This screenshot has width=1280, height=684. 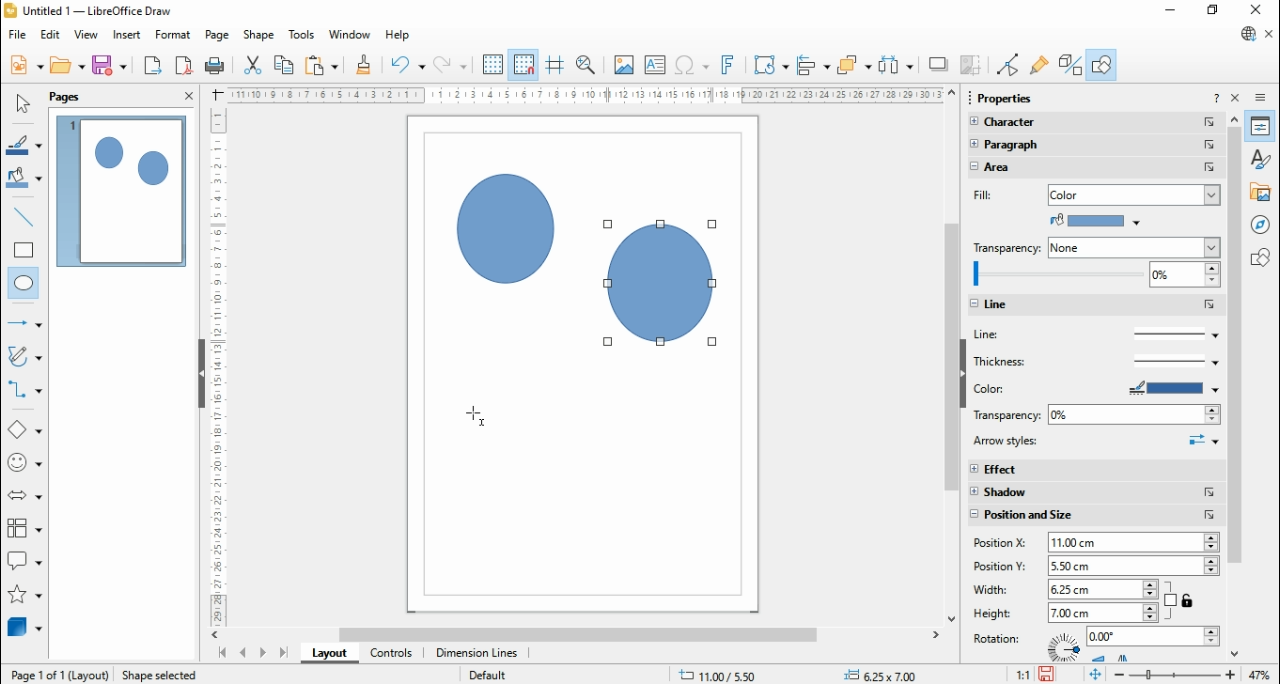 What do you see at coordinates (1133, 248) in the screenshot?
I see `none` at bounding box center [1133, 248].